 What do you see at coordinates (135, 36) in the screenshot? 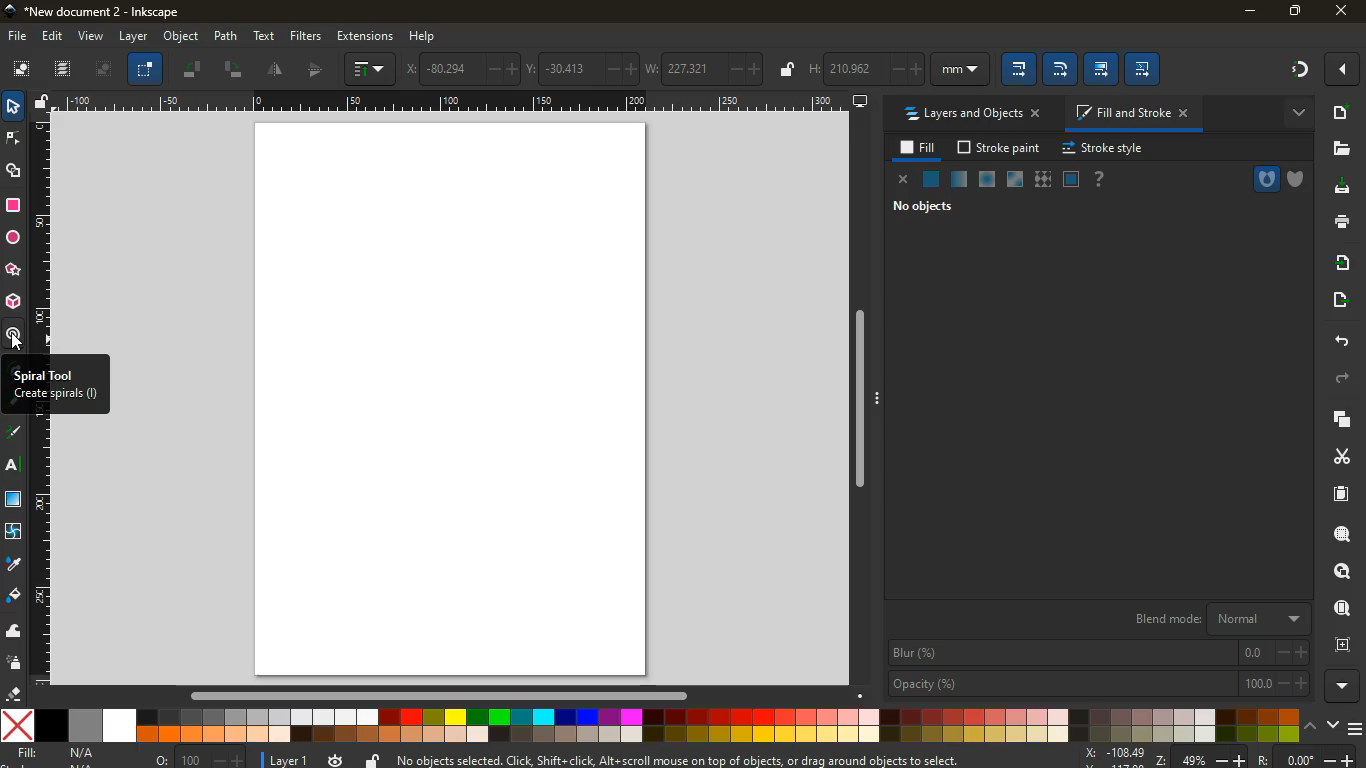
I see `layer` at bounding box center [135, 36].